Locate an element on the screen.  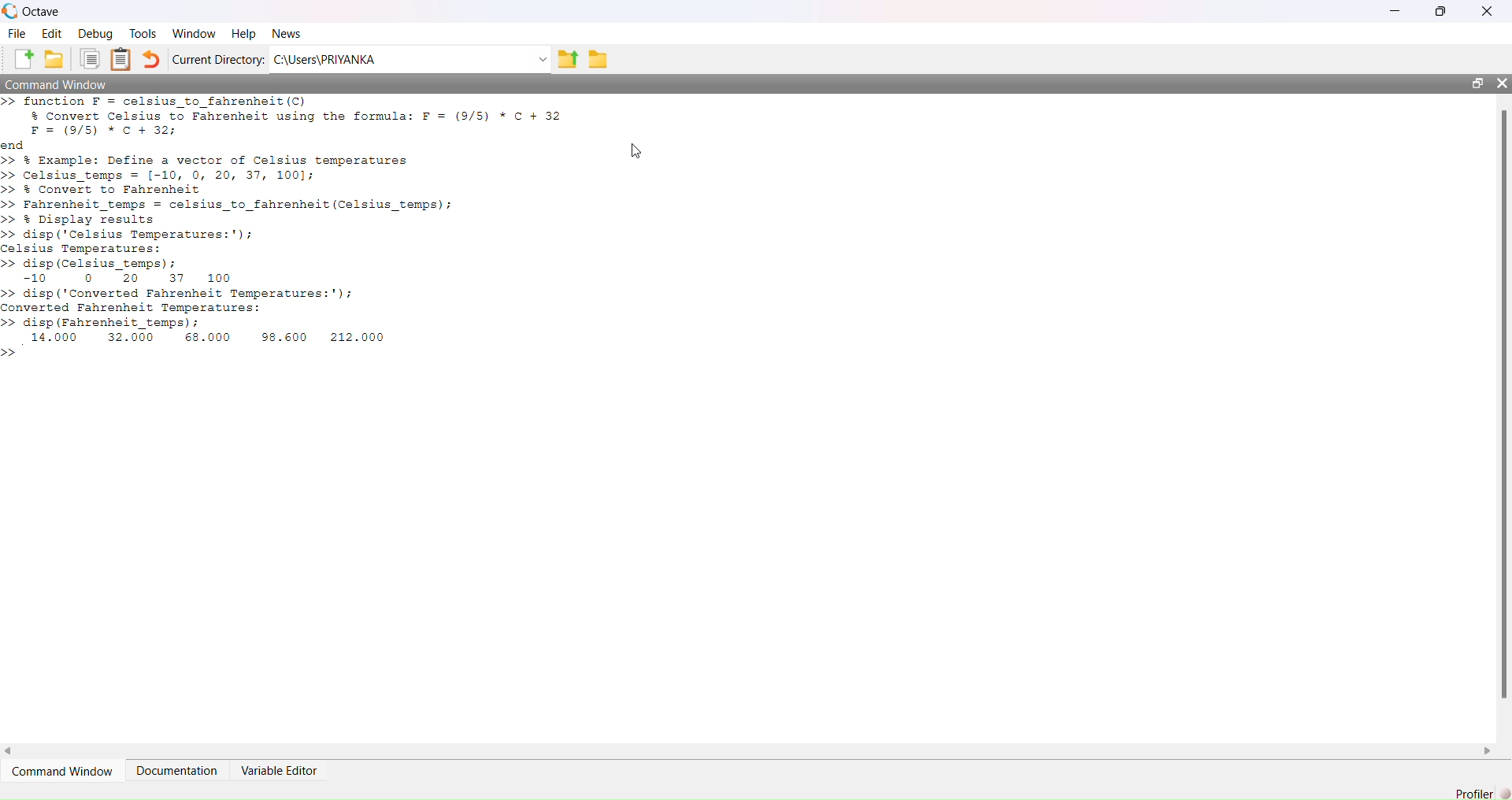
restore is located at coordinates (1440, 11).